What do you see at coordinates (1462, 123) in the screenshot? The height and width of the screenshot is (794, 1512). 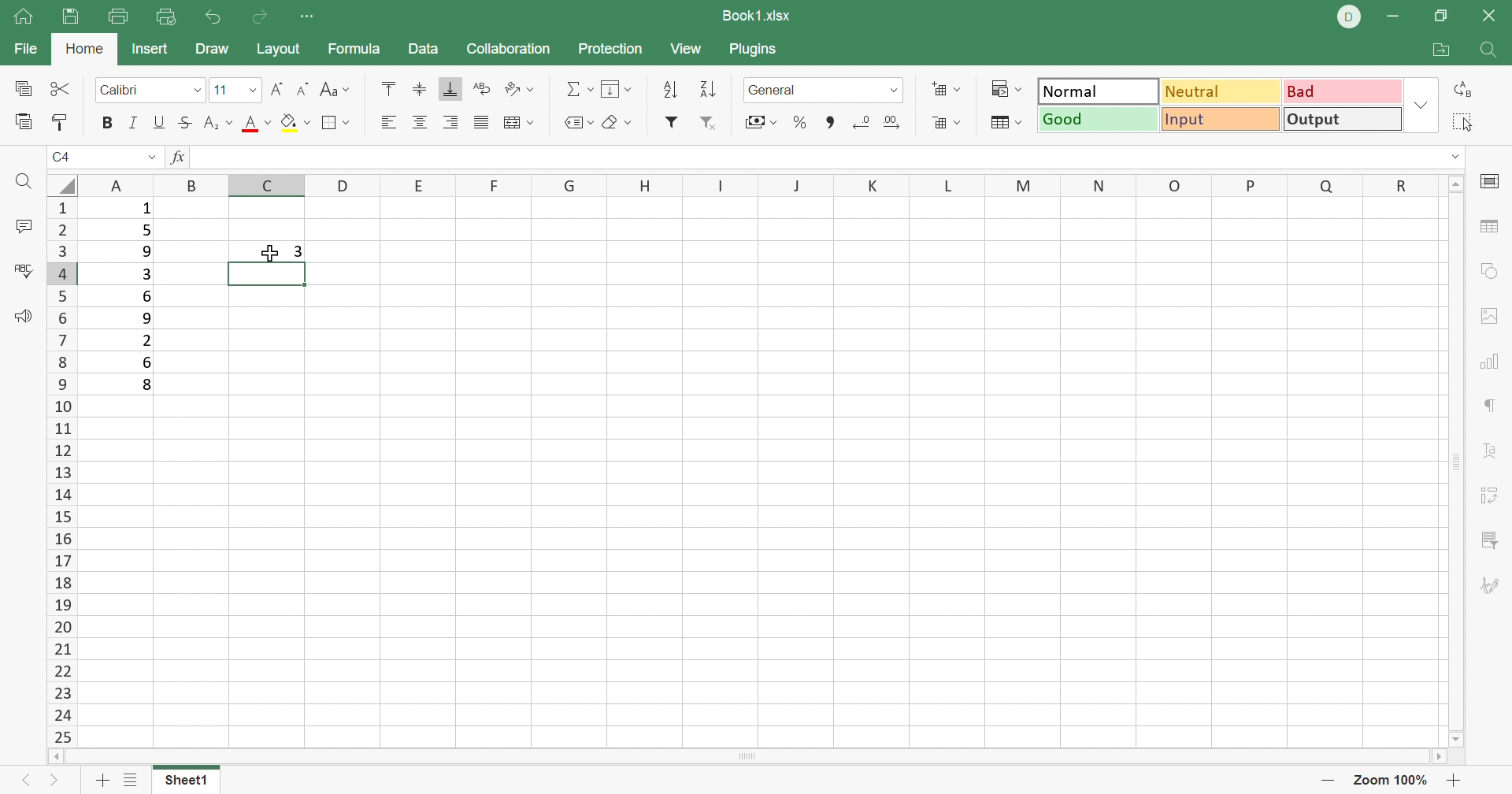 I see `Select all` at bounding box center [1462, 123].